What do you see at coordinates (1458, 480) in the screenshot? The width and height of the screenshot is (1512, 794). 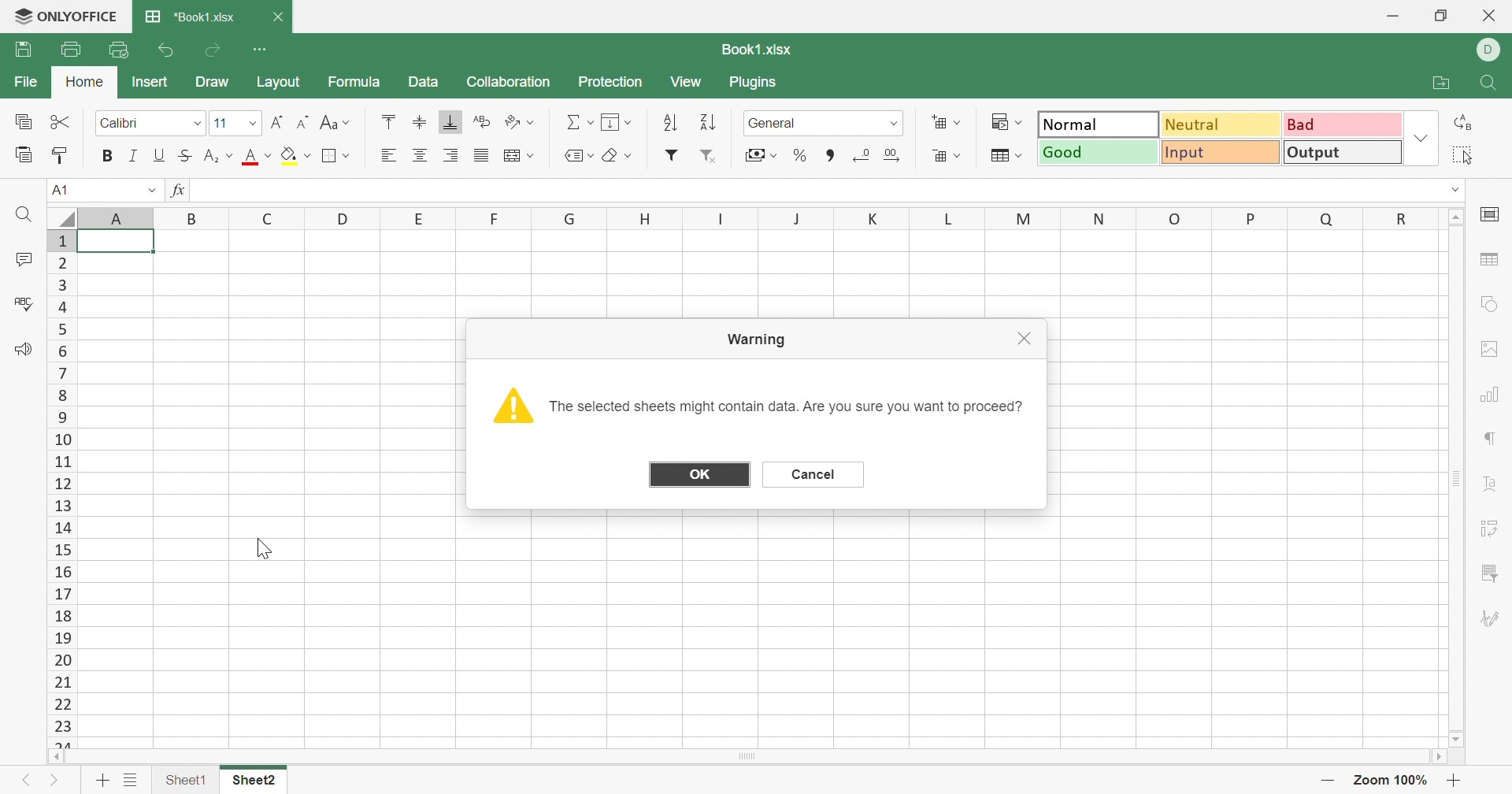 I see `Scroll Bar` at bounding box center [1458, 480].